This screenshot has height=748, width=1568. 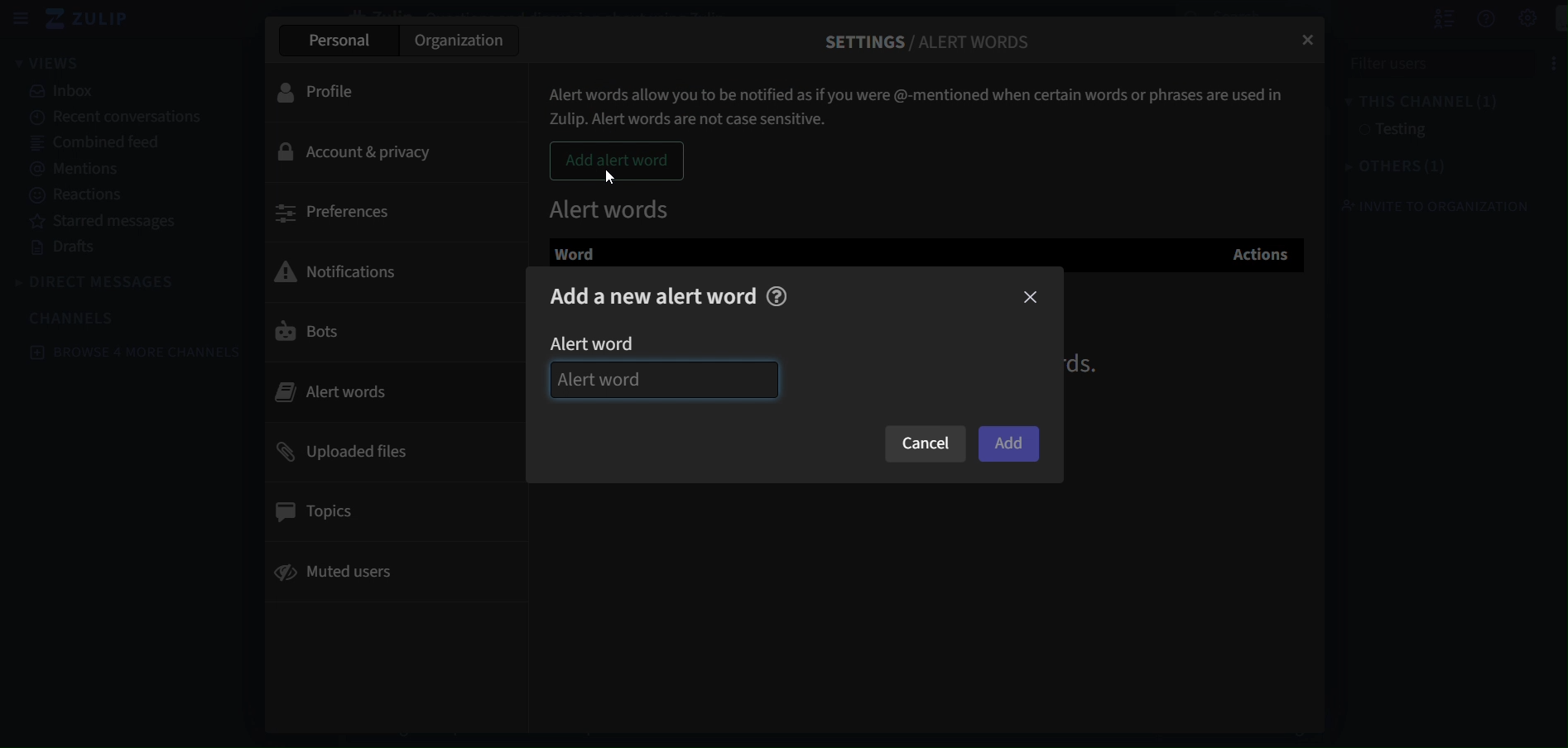 What do you see at coordinates (352, 390) in the screenshot?
I see `alert words` at bounding box center [352, 390].